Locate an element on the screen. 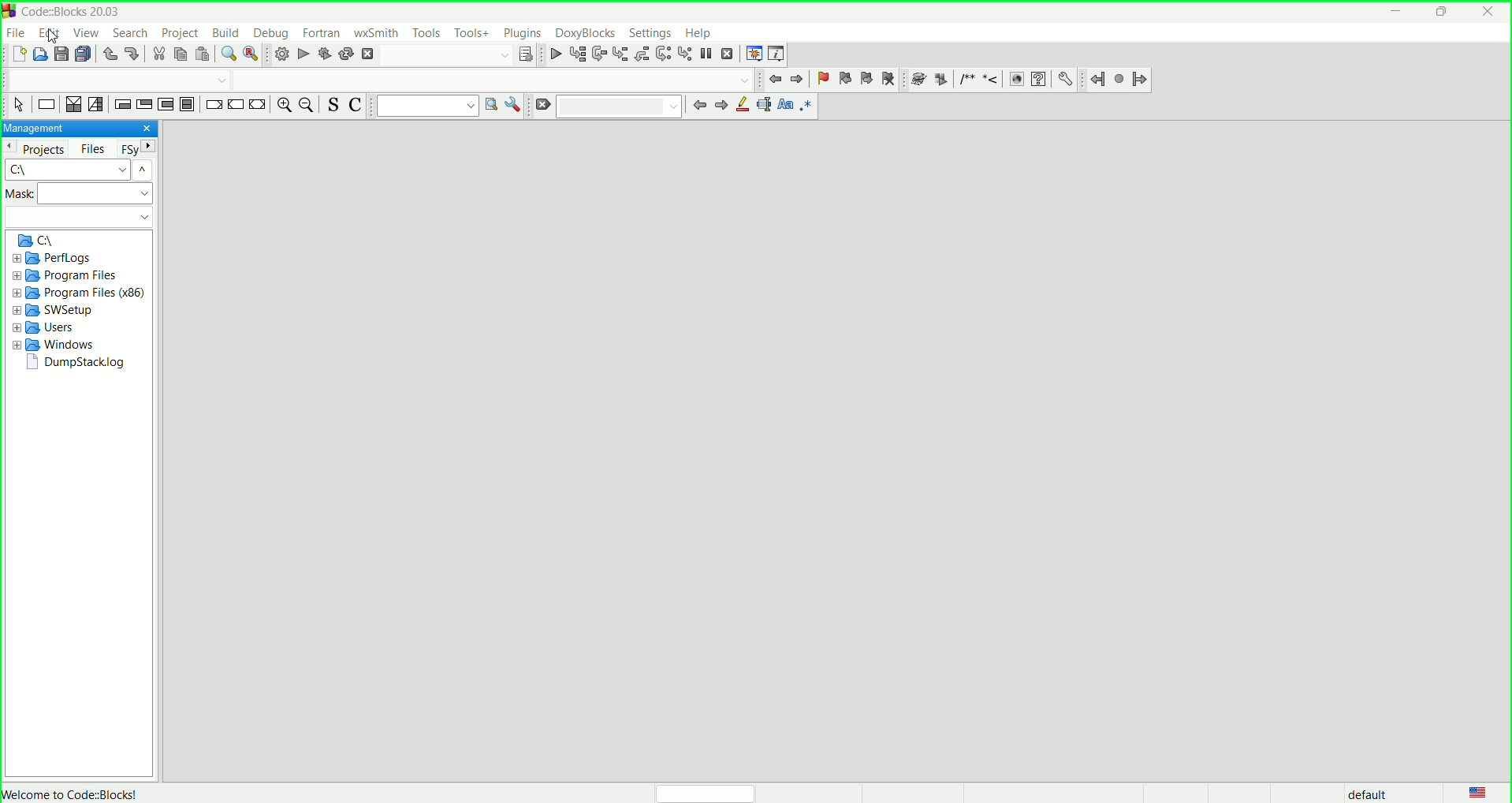 This screenshot has height=803, width=1512. fsy is located at coordinates (136, 148).